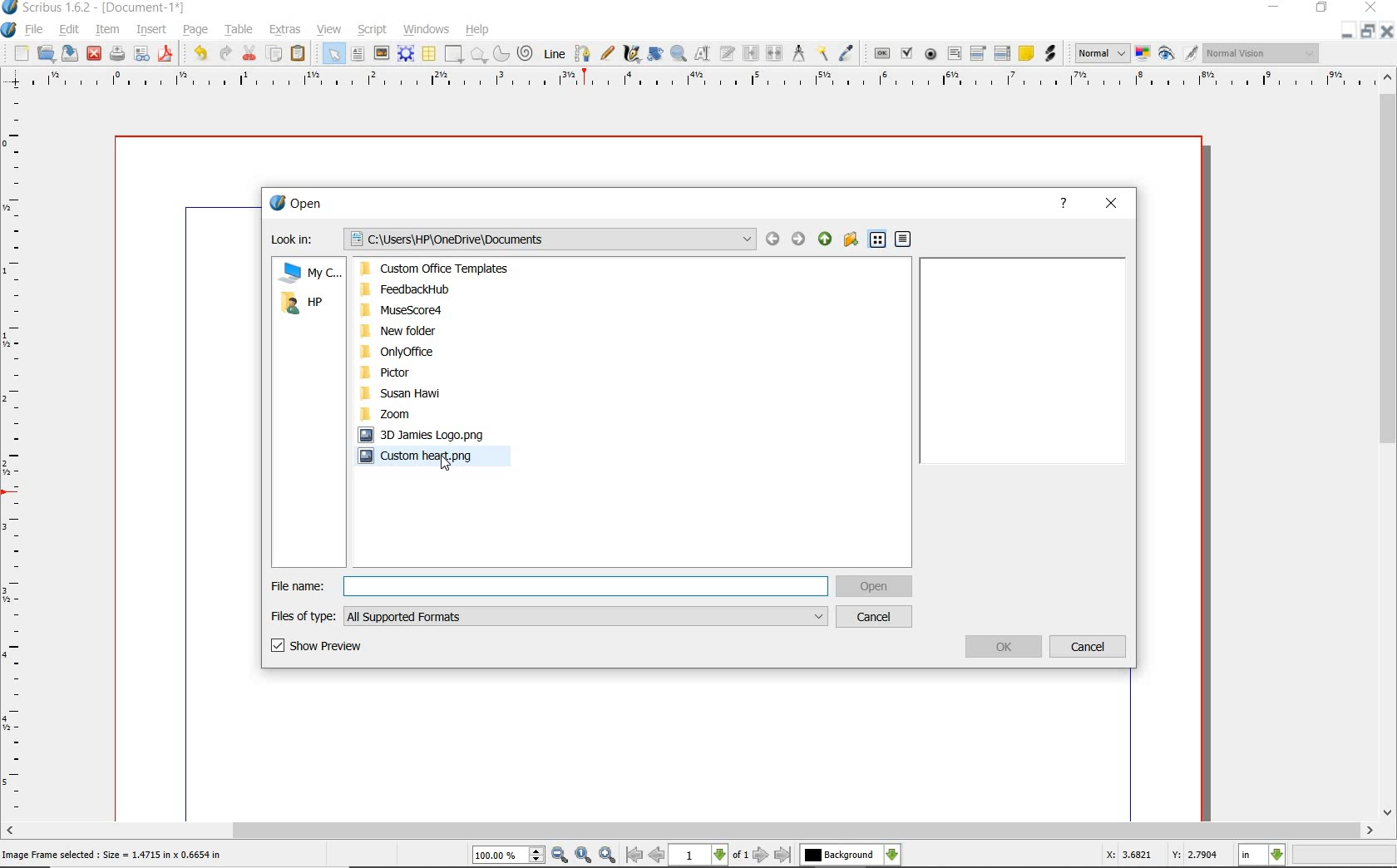  What do you see at coordinates (67, 30) in the screenshot?
I see `edit` at bounding box center [67, 30].